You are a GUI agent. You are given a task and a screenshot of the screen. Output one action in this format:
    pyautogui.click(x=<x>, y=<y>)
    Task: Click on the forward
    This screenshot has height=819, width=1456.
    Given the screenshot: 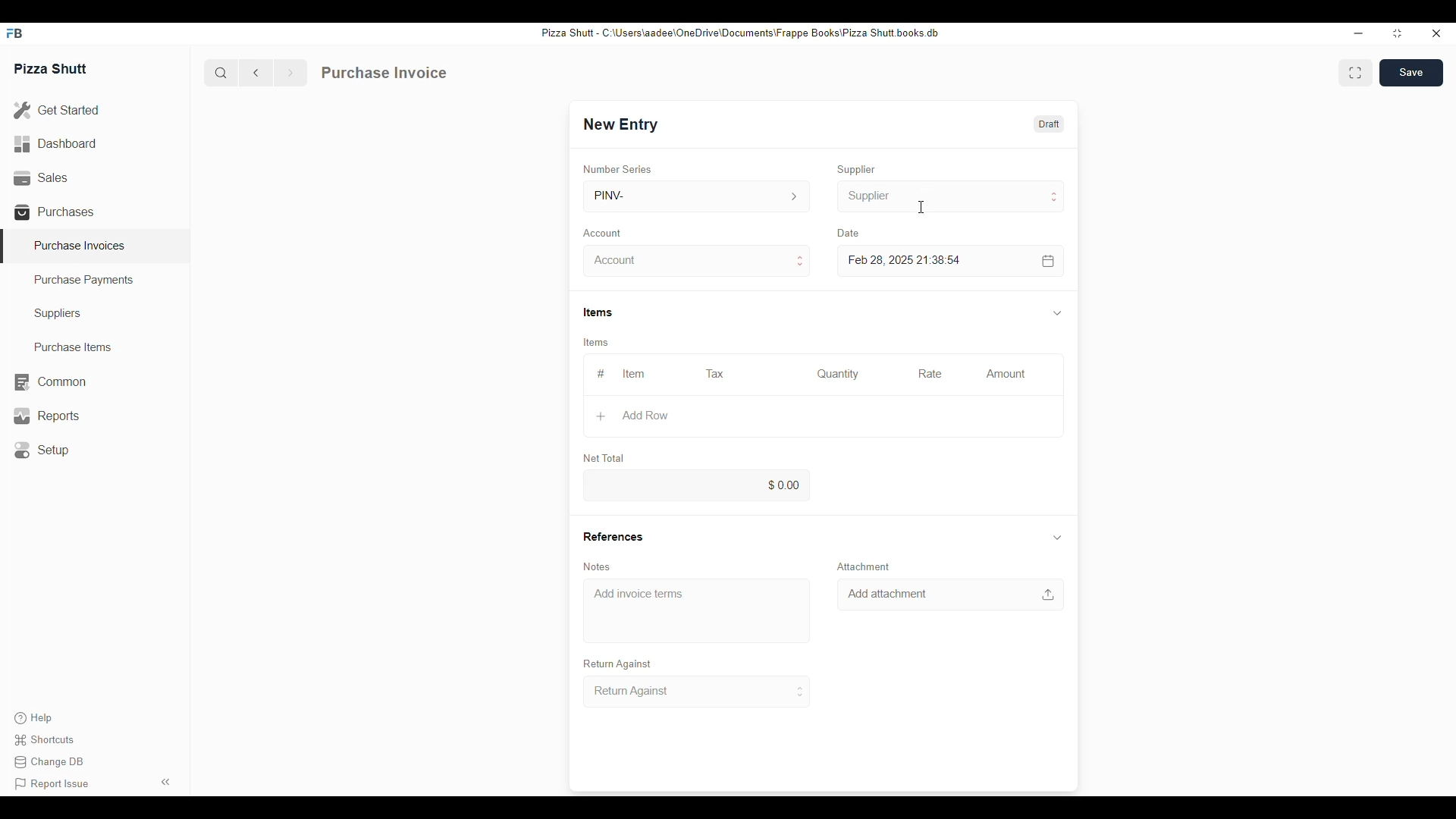 What is the action you would take?
    pyautogui.click(x=290, y=73)
    